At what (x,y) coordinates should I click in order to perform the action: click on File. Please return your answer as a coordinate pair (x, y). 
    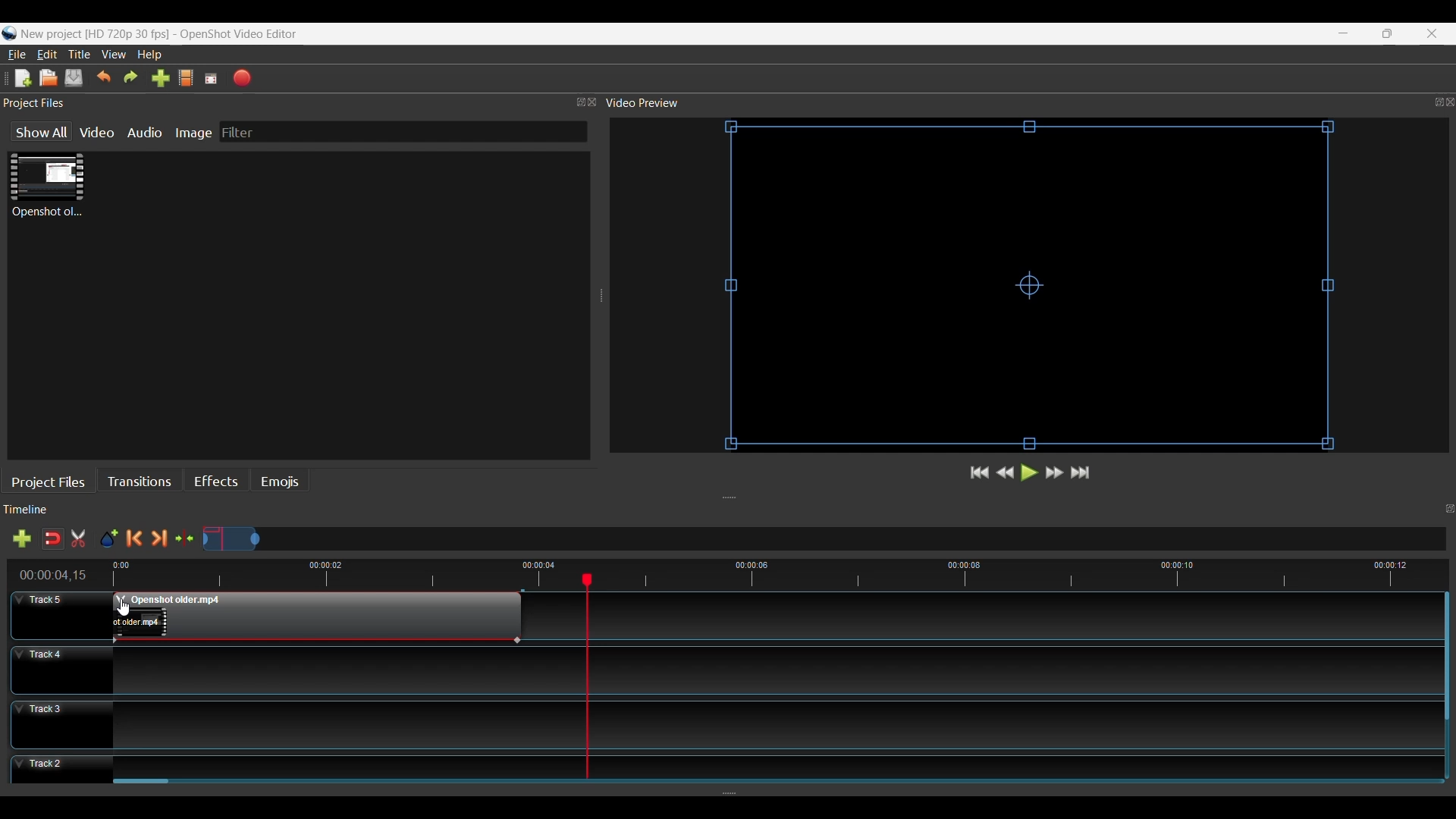
    Looking at the image, I should click on (17, 54).